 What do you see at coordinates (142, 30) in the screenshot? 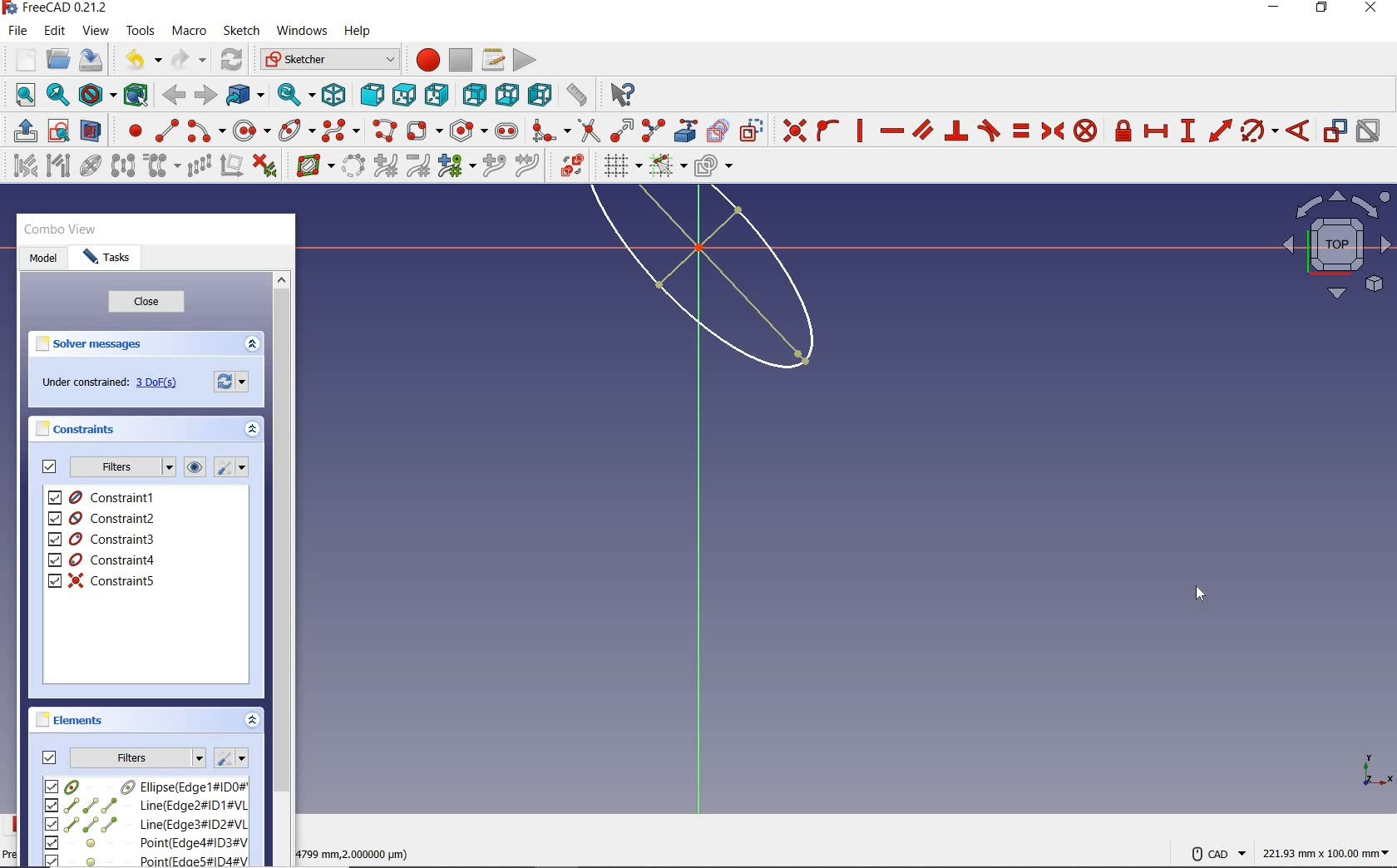
I see `tools` at bounding box center [142, 30].